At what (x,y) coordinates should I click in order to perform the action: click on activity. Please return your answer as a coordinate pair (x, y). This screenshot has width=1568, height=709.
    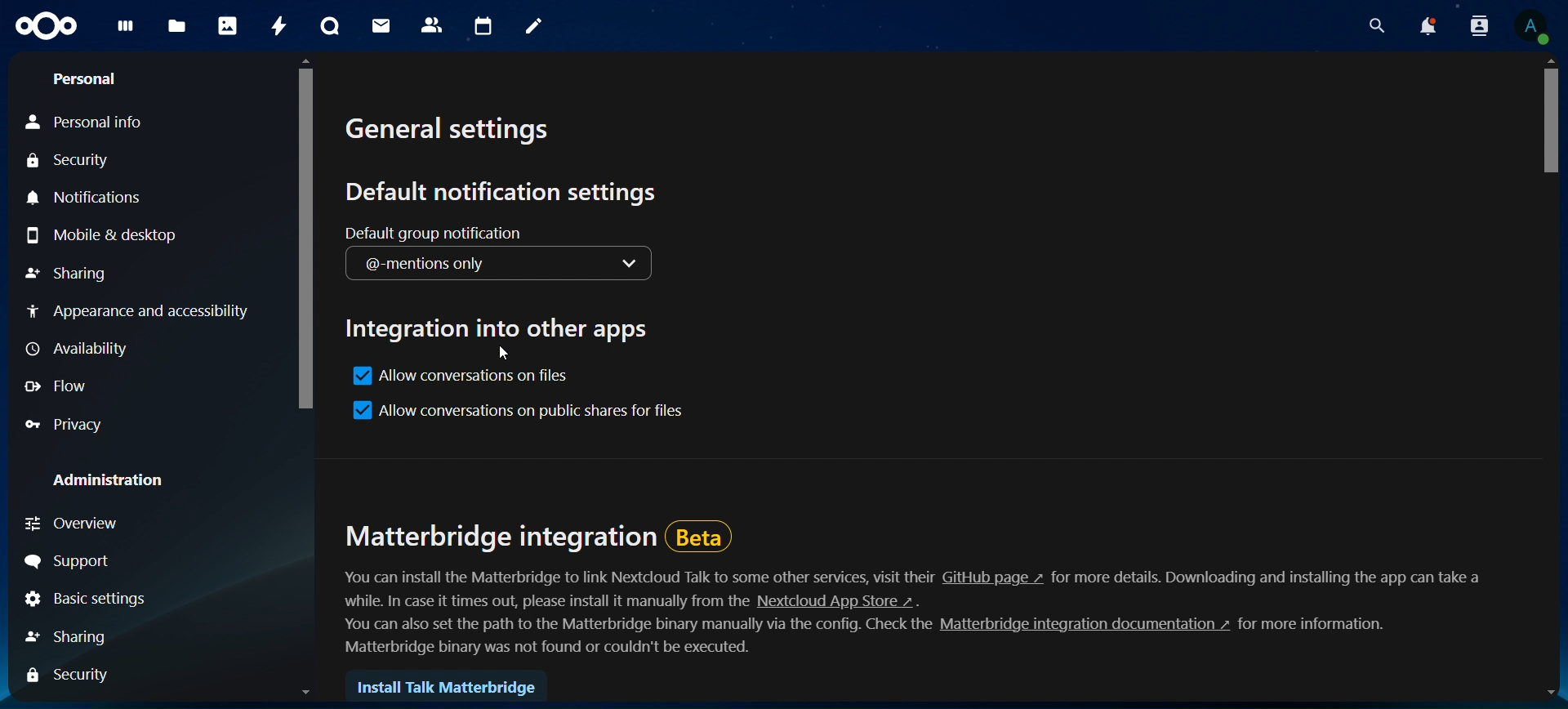
    Looking at the image, I should click on (279, 23).